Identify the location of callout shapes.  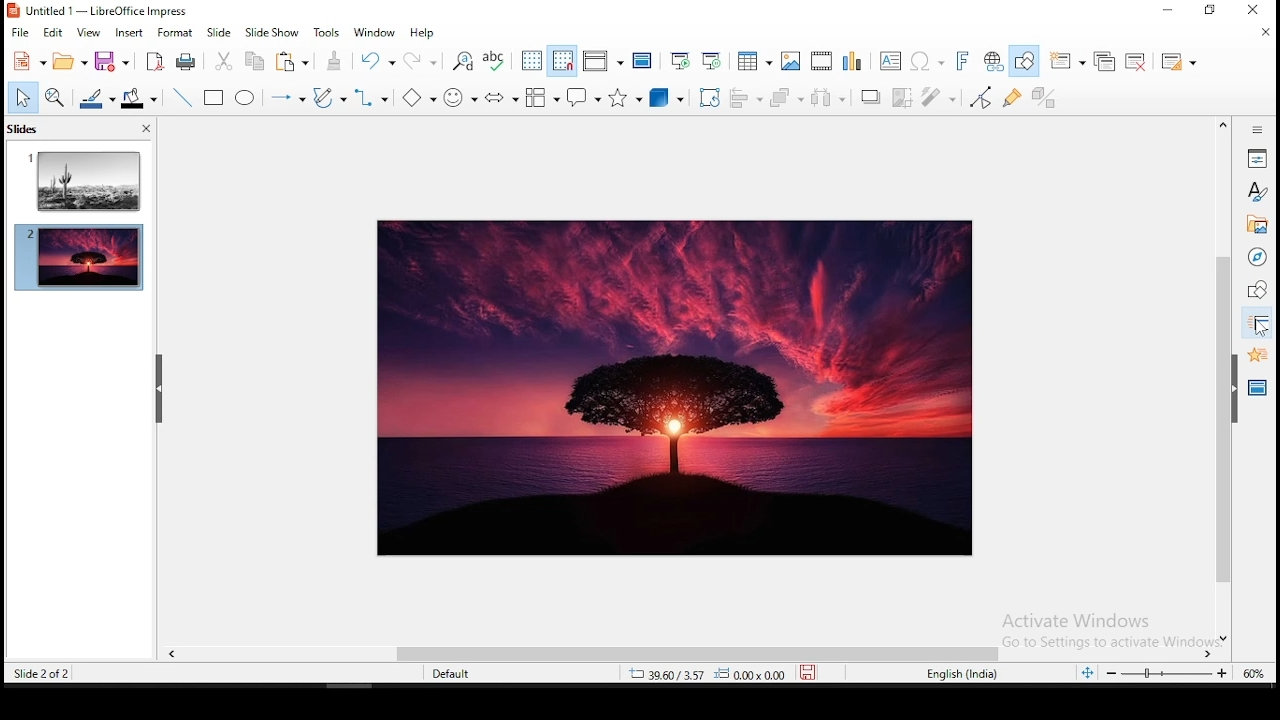
(583, 97).